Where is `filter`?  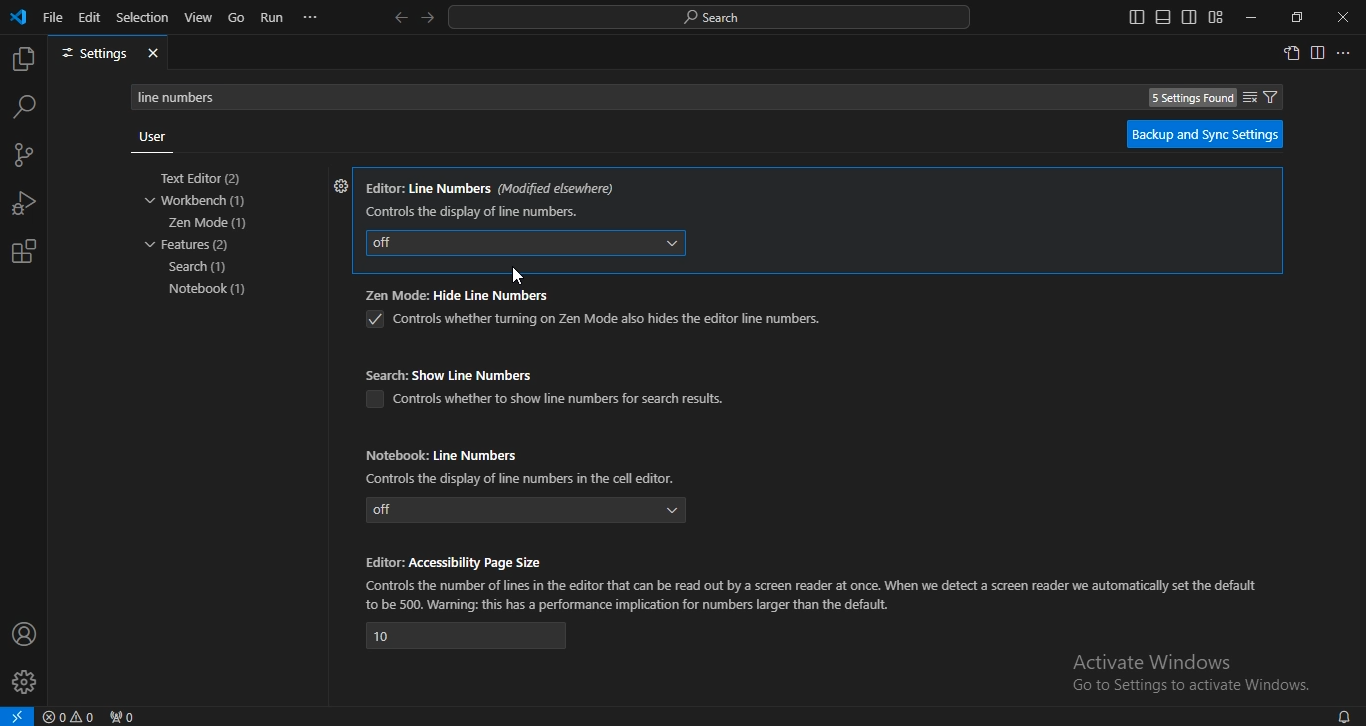 filter is located at coordinates (1261, 97).